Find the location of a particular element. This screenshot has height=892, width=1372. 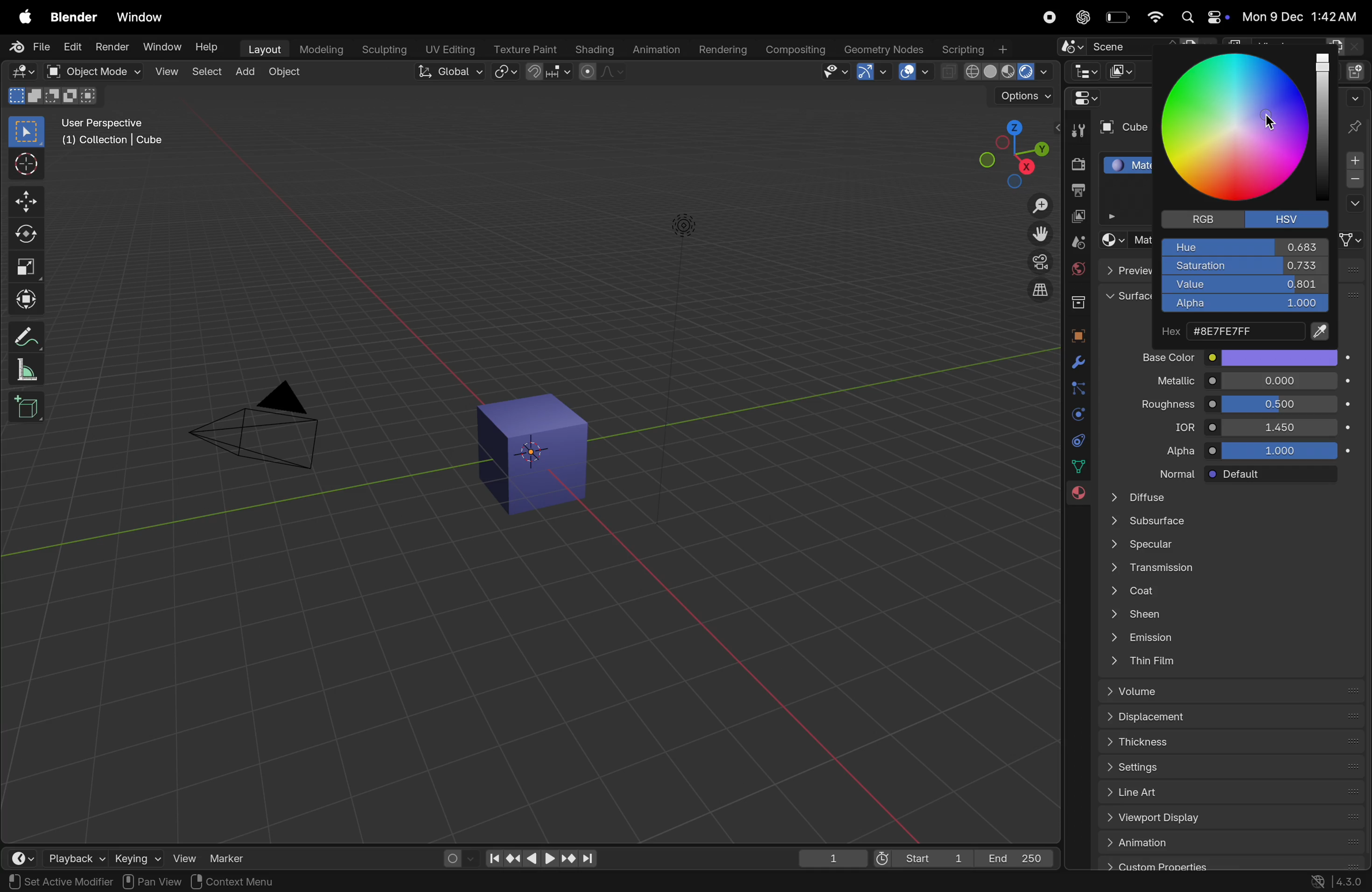

date and time is located at coordinates (1302, 16).